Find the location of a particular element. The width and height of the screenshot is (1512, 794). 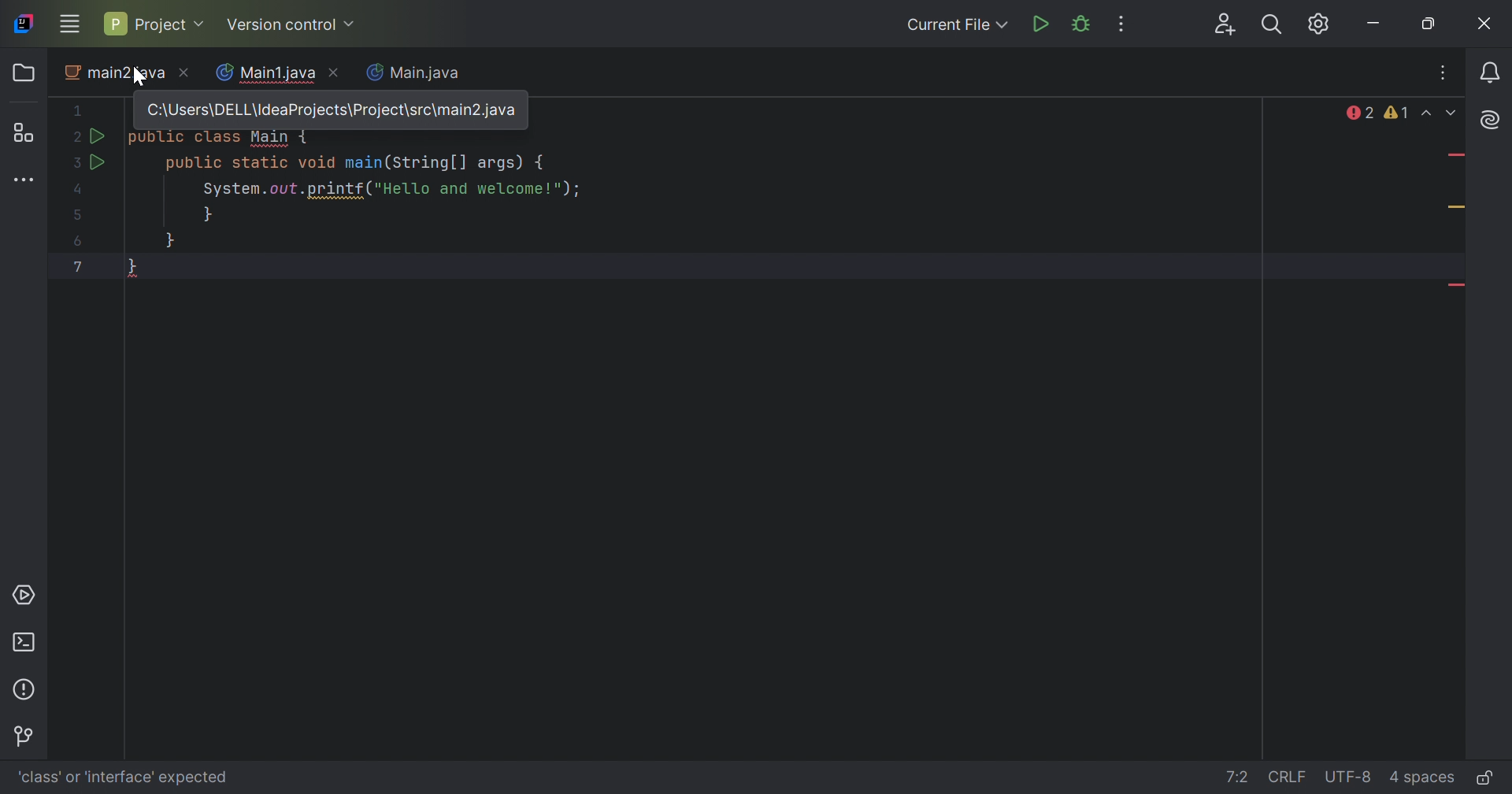

7 is located at coordinates (76, 265).